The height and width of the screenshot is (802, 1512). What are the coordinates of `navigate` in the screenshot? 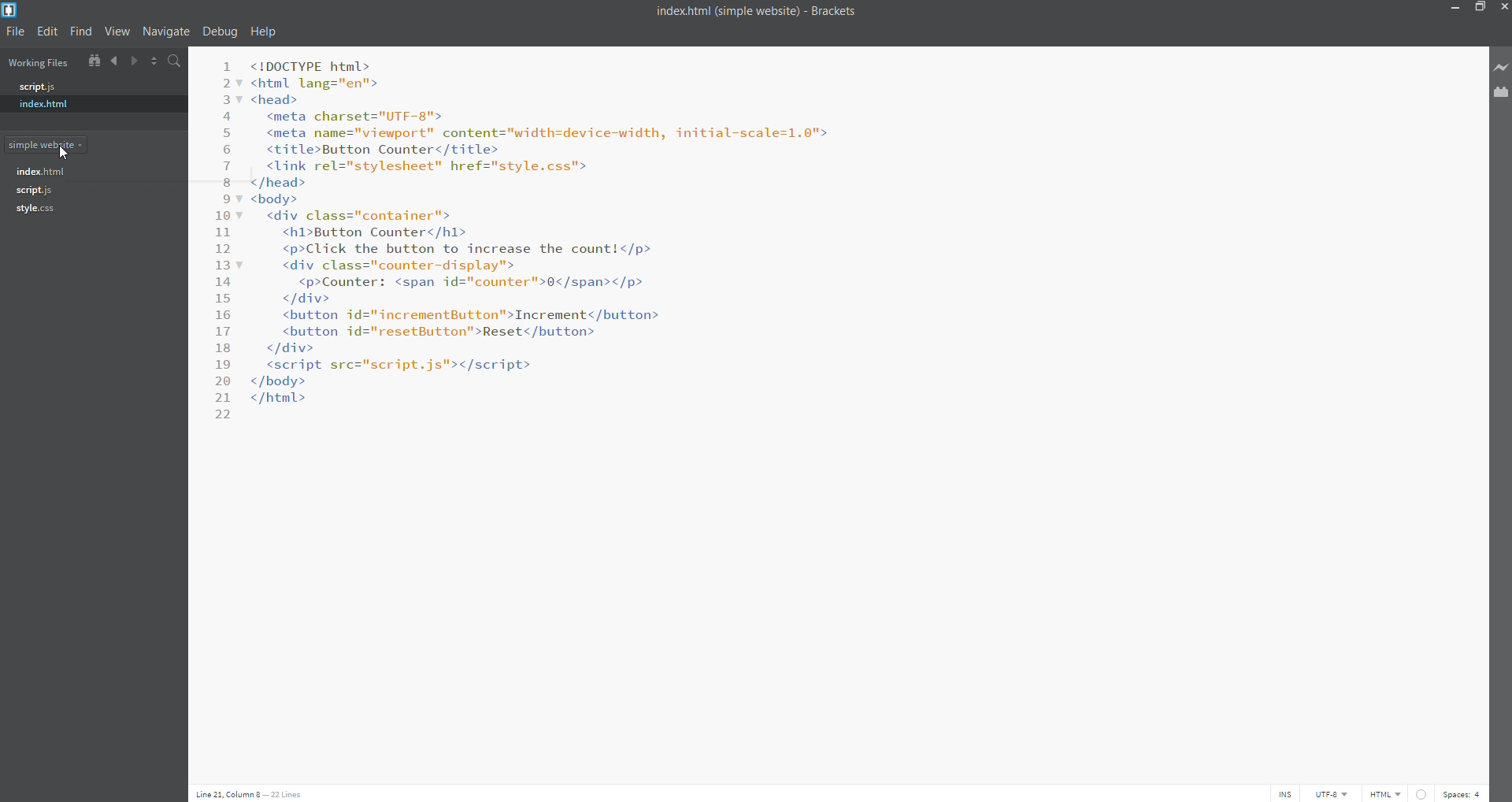 It's located at (168, 31).